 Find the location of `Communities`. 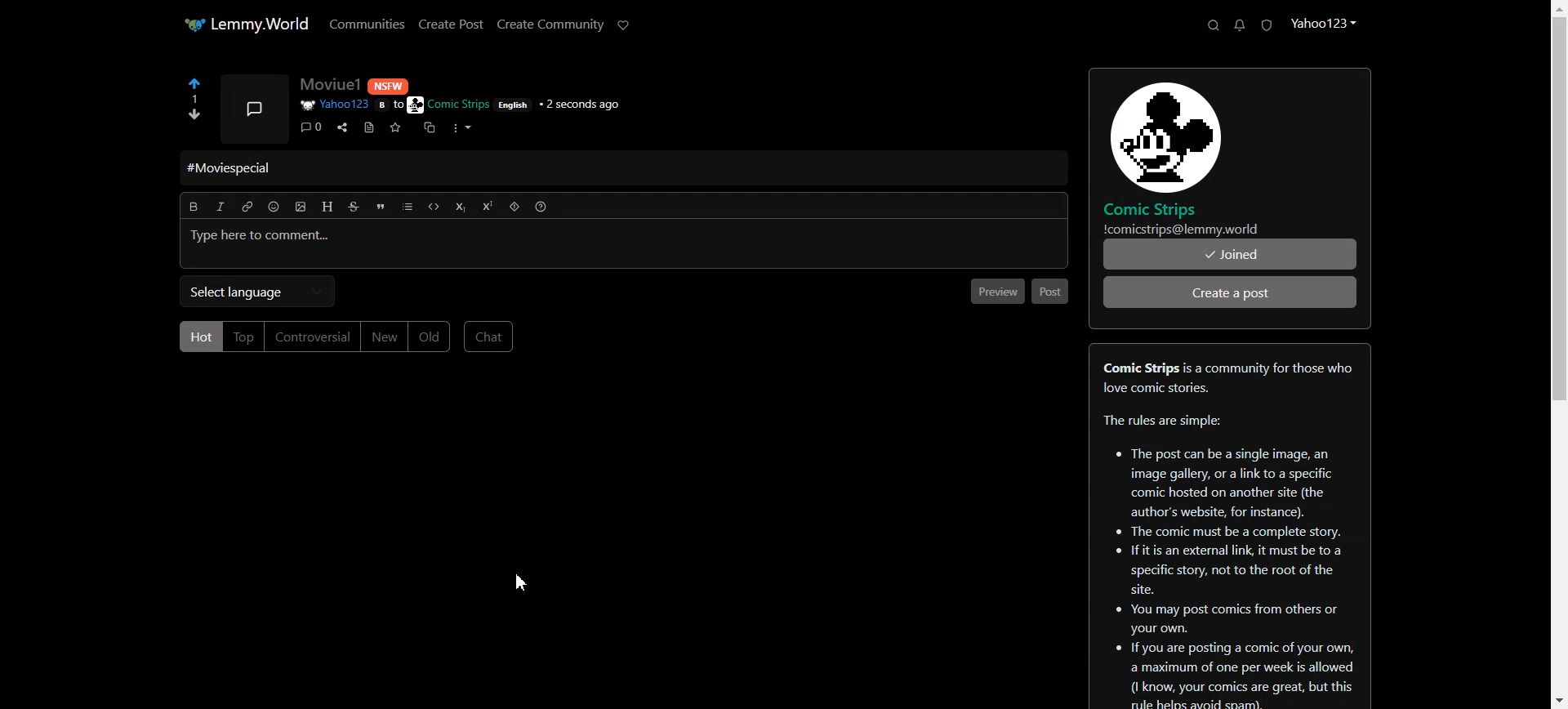

Communities is located at coordinates (365, 25).